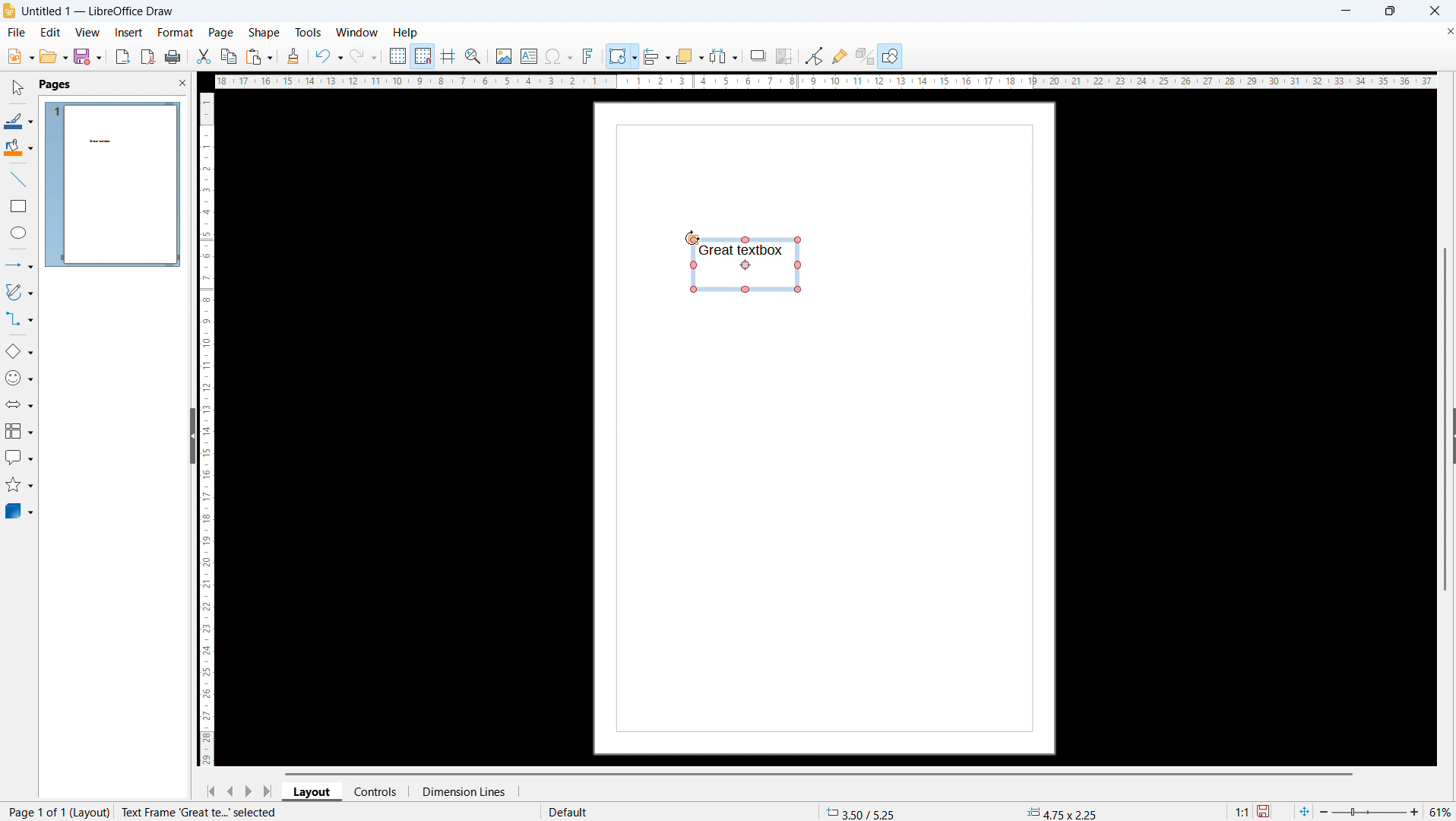 The width and height of the screenshot is (1456, 821). What do you see at coordinates (313, 791) in the screenshot?
I see `layout` at bounding box center [313, 791].